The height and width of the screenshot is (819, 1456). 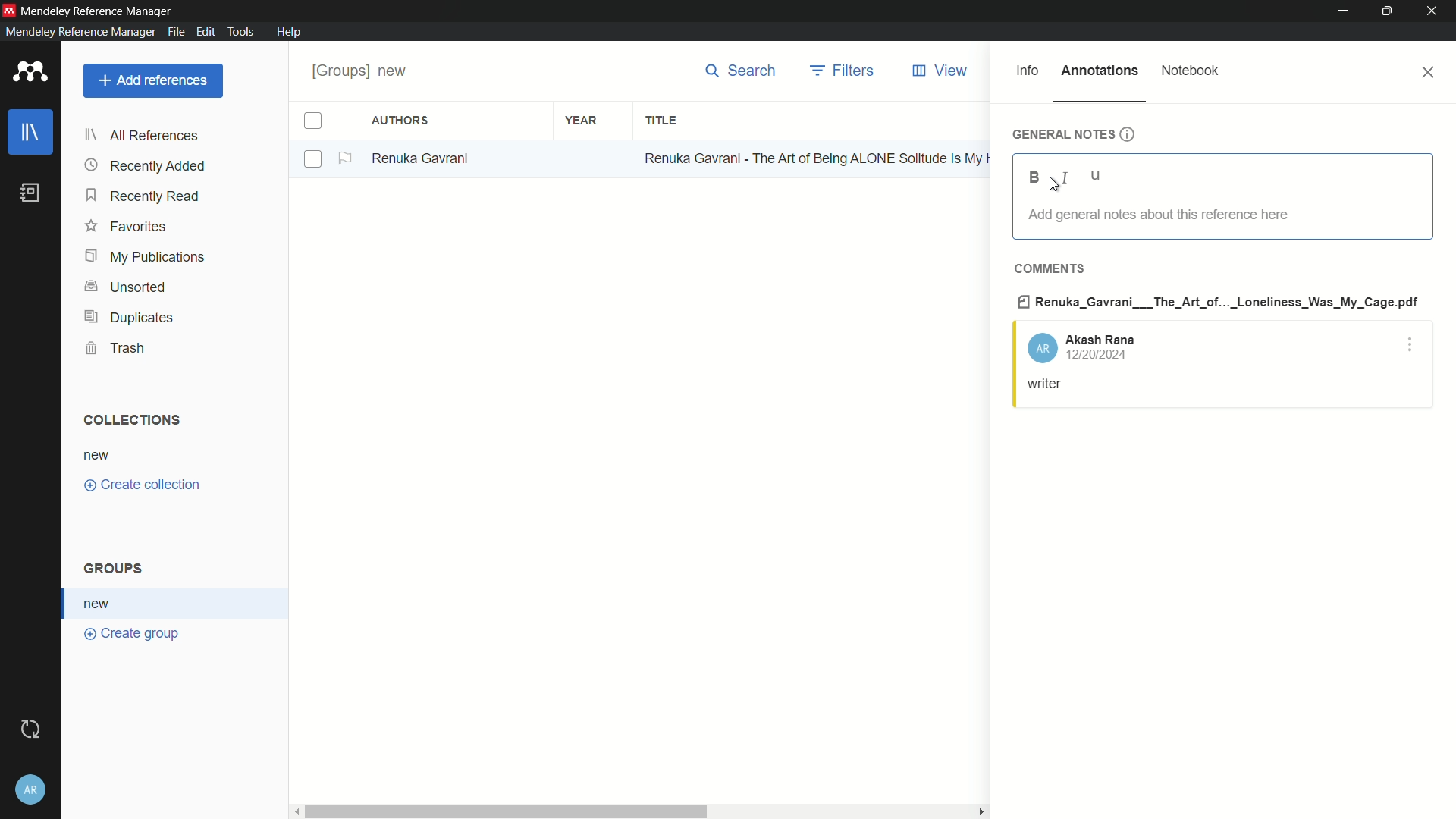 What do you see at coordinates (313, 121) in the screenshot?
I see `check box` at bounding box center [313, 121].